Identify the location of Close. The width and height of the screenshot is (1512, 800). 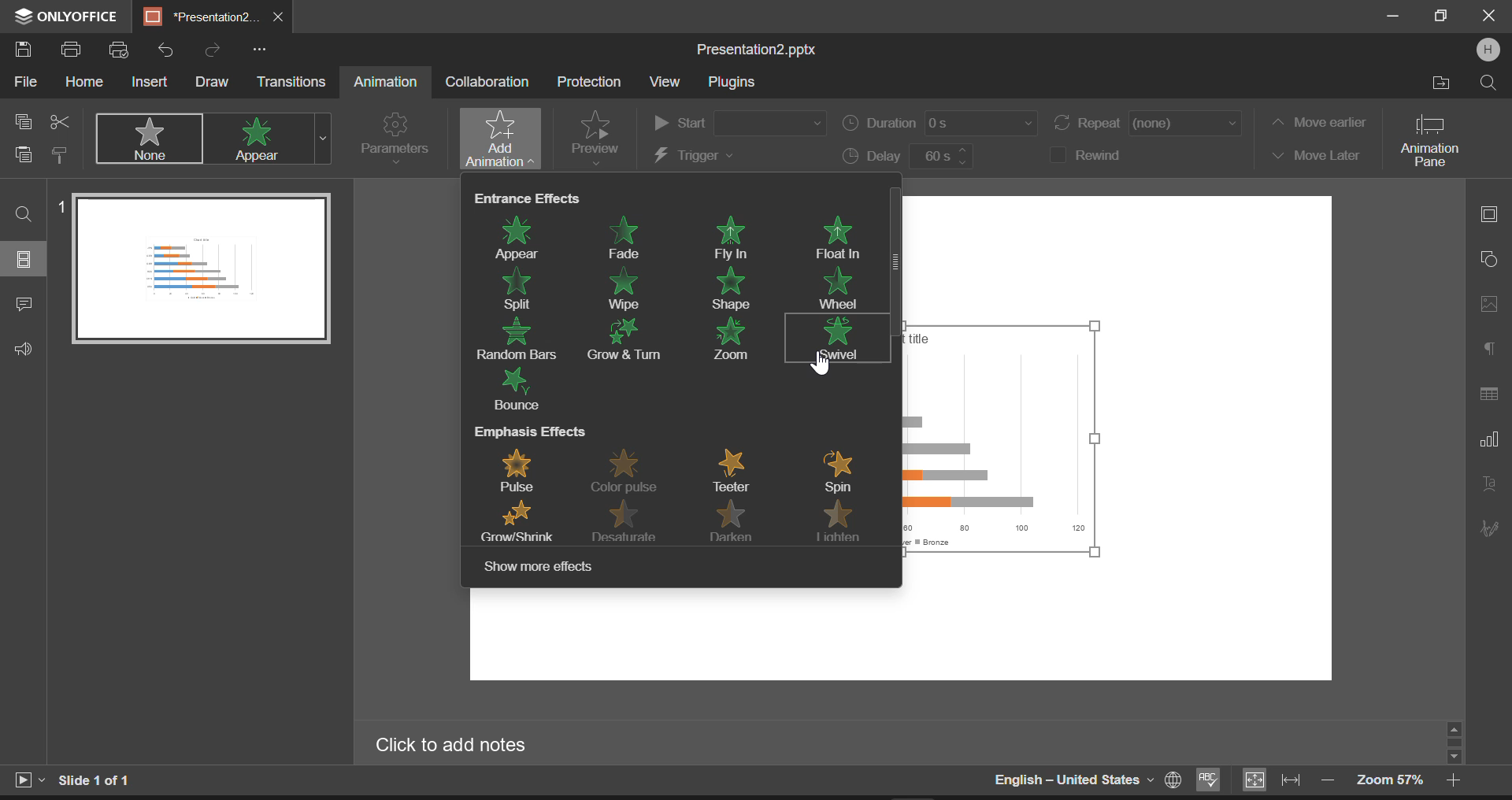
(1488, 17).